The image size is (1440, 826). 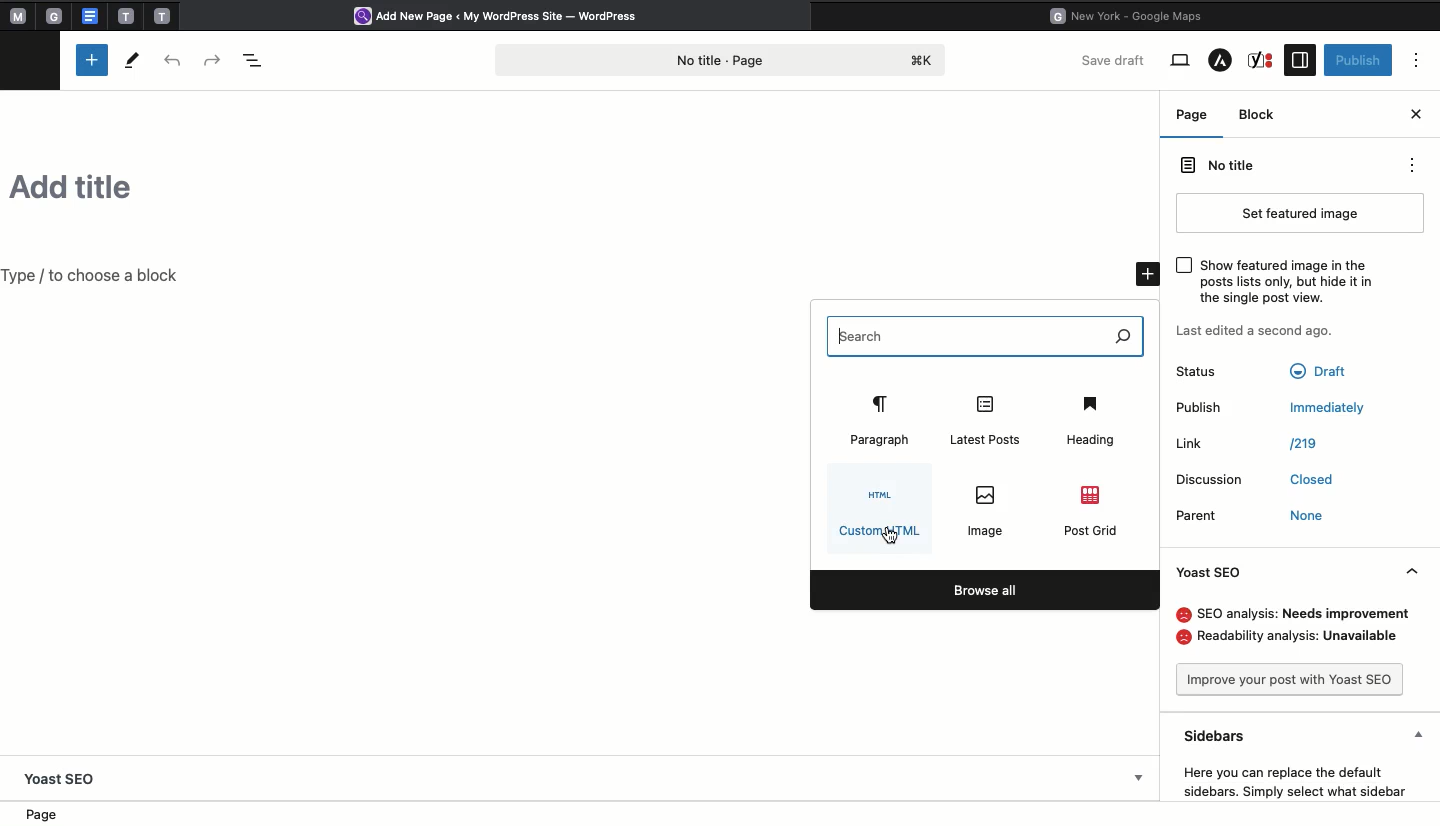 I want to click on Close, so click(x=1417, y=112).